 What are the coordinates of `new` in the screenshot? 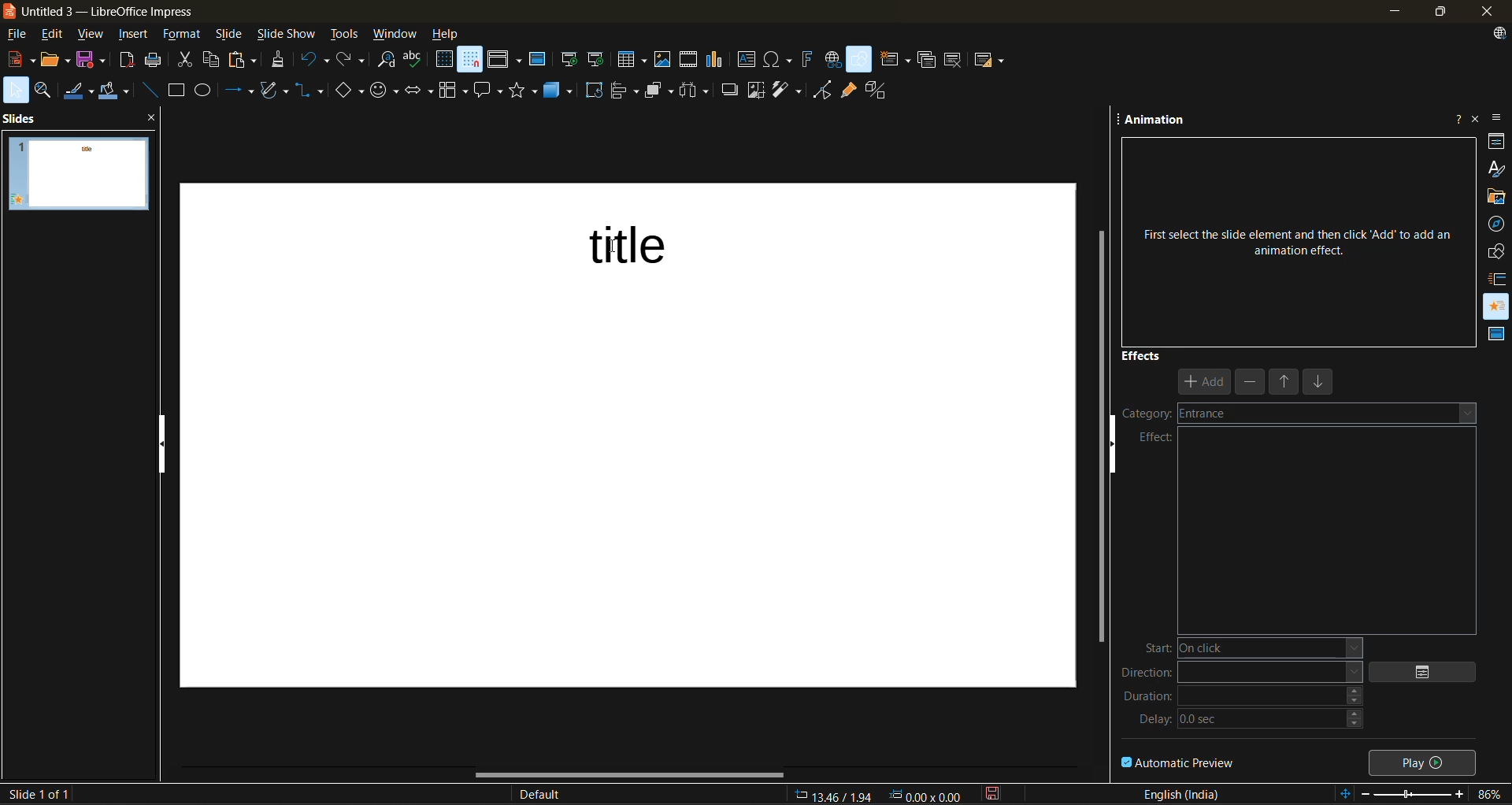 It's located at (18, 60).